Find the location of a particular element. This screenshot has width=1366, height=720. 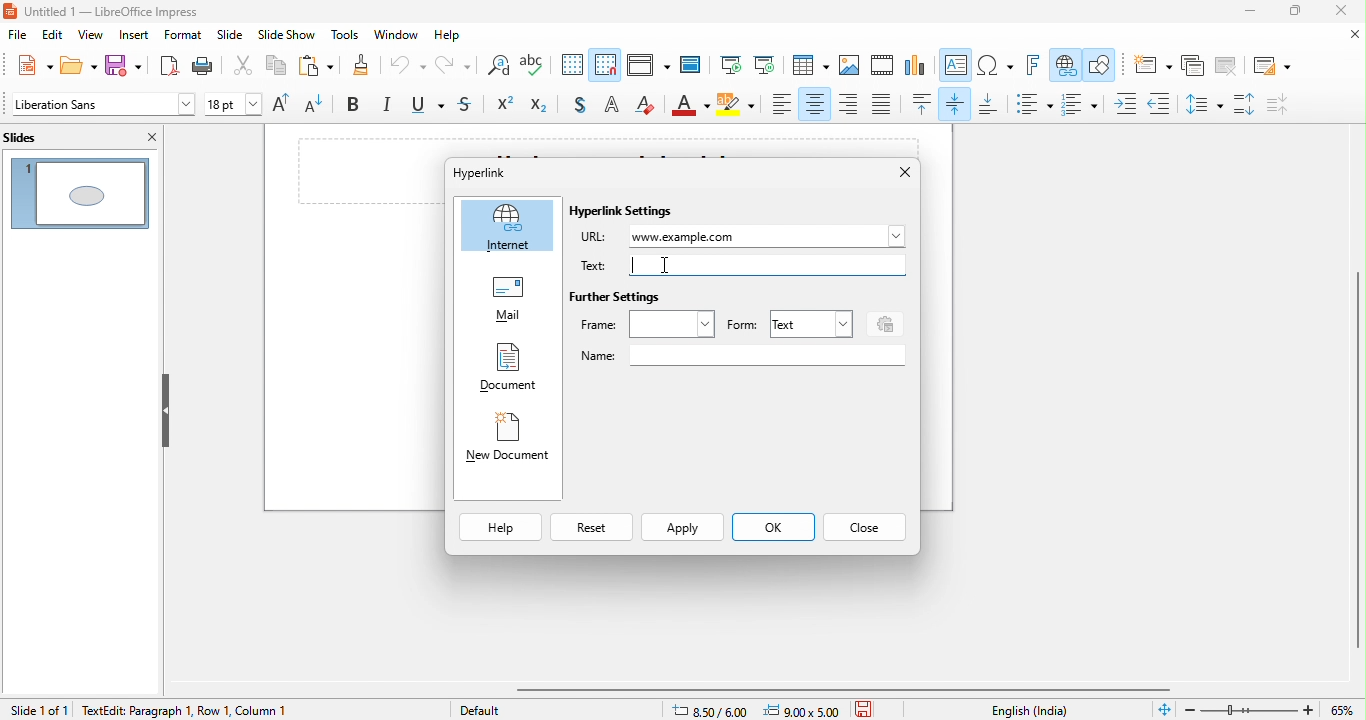

hyperlink settings is located at coordinates (626, 212).